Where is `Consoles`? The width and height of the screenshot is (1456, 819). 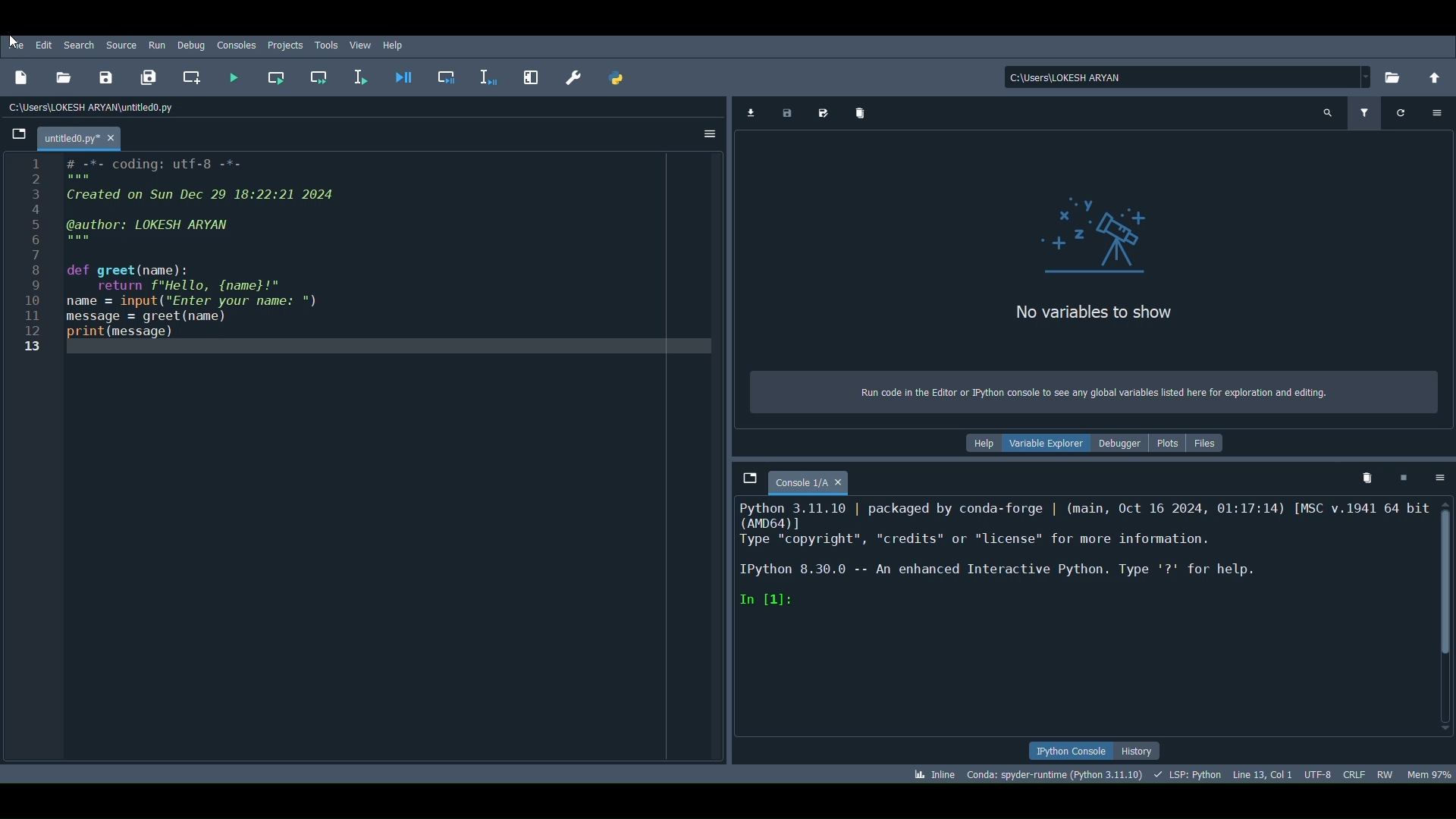 Consoles is located at coordinates (235, 43).